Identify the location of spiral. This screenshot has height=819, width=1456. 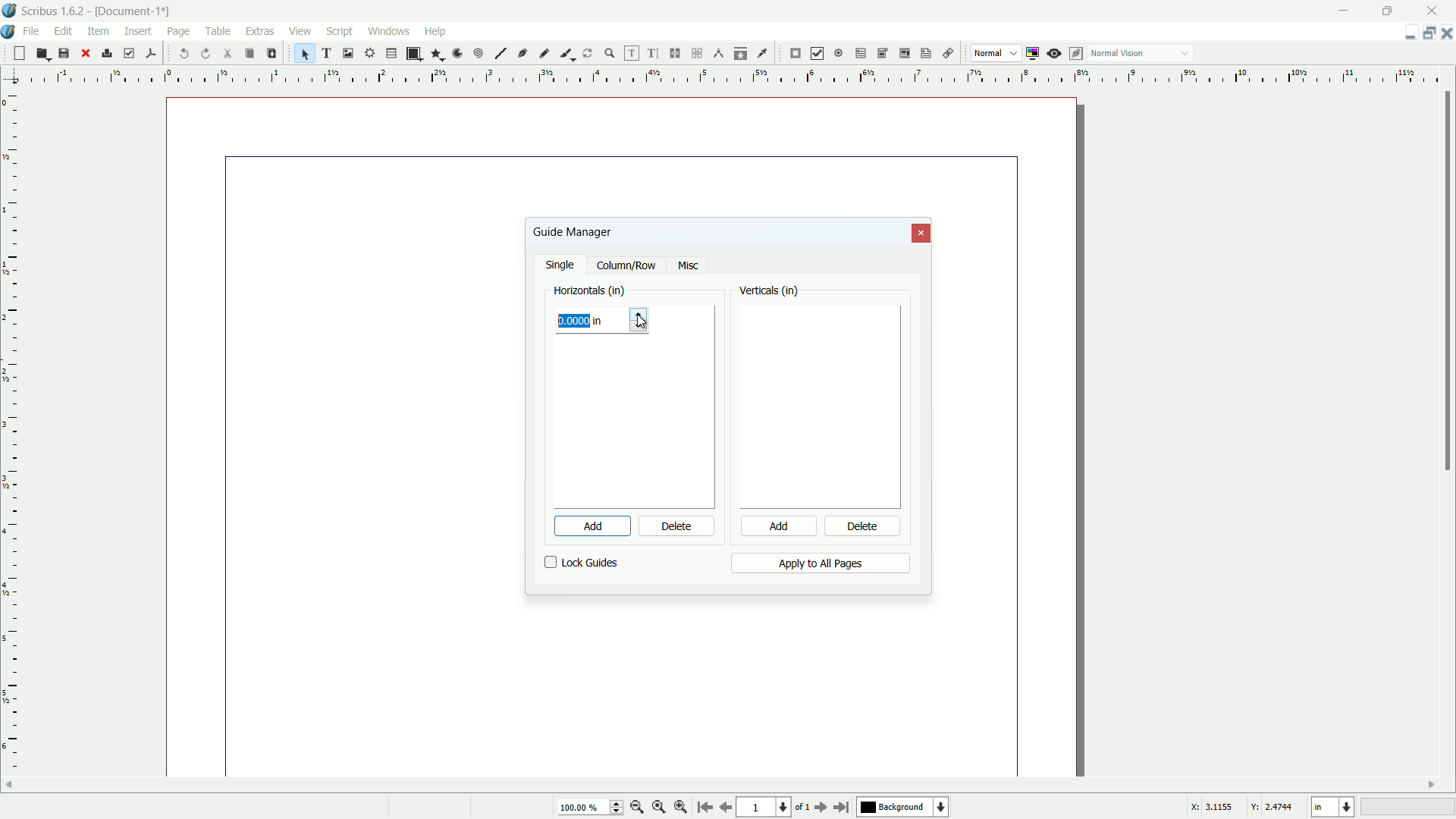
(479, 54).